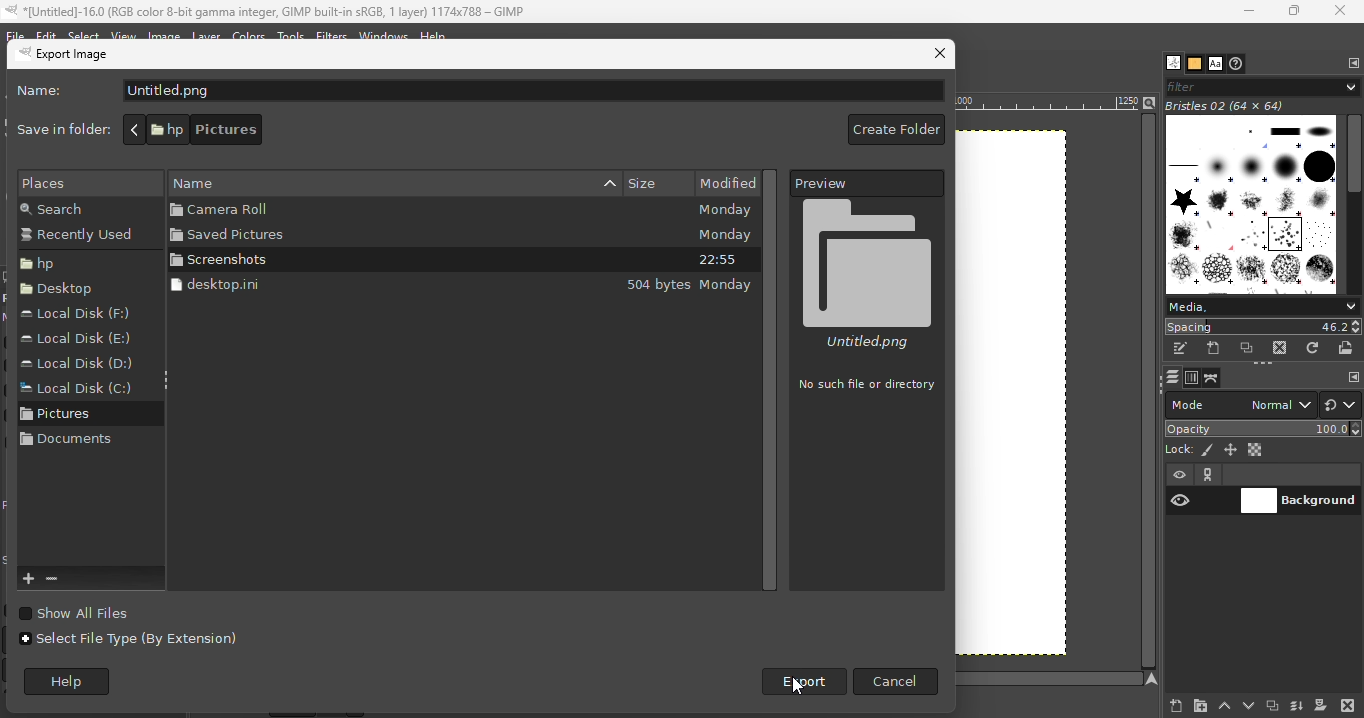 This screenshot has height=718, width=1364. Describe the element at coordinates (356, 260) in the screenshot. I see `Screenshots folder` at that location.